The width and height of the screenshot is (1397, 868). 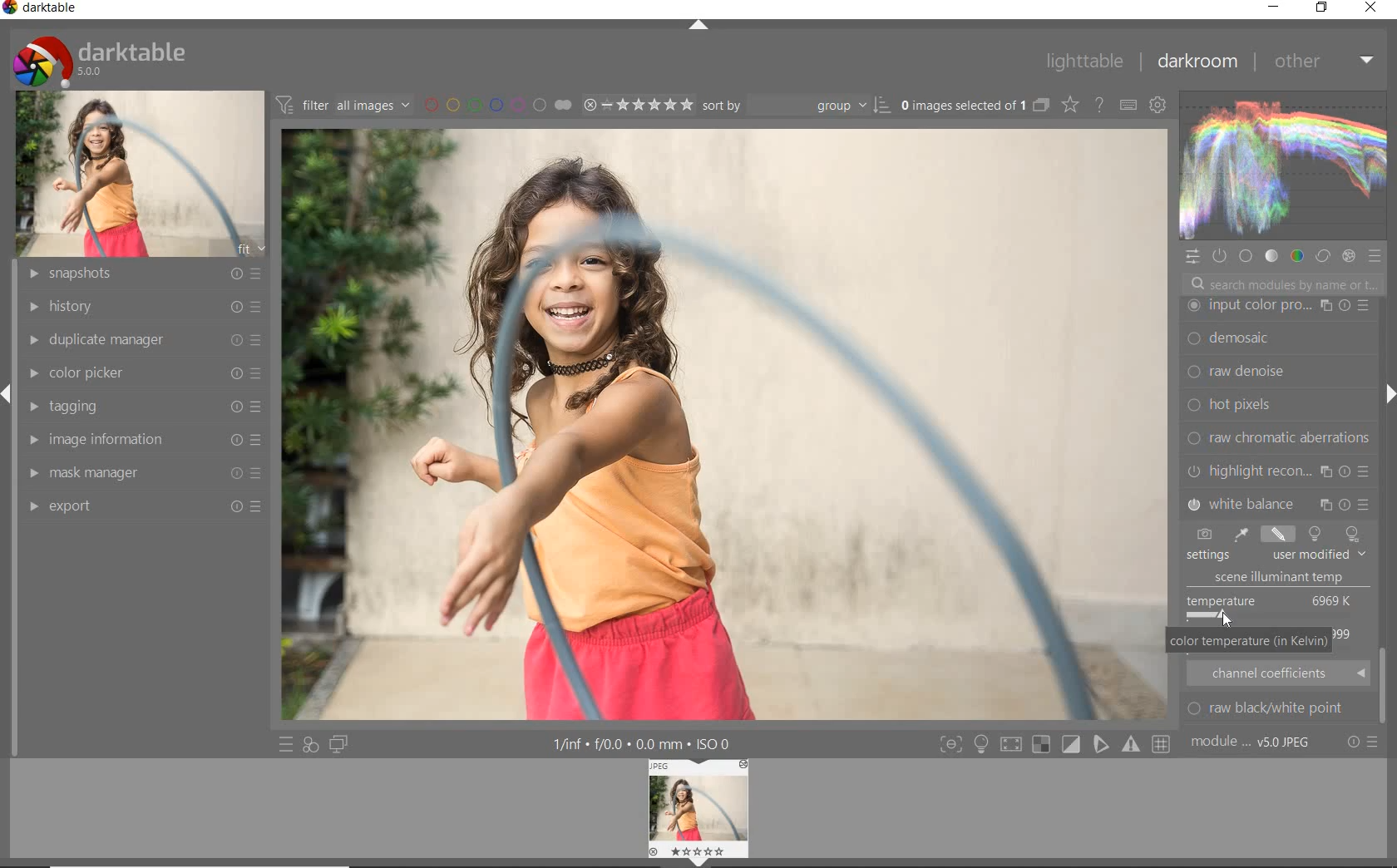 I want to click on expand/collapse, so click(x=1385, y=397).